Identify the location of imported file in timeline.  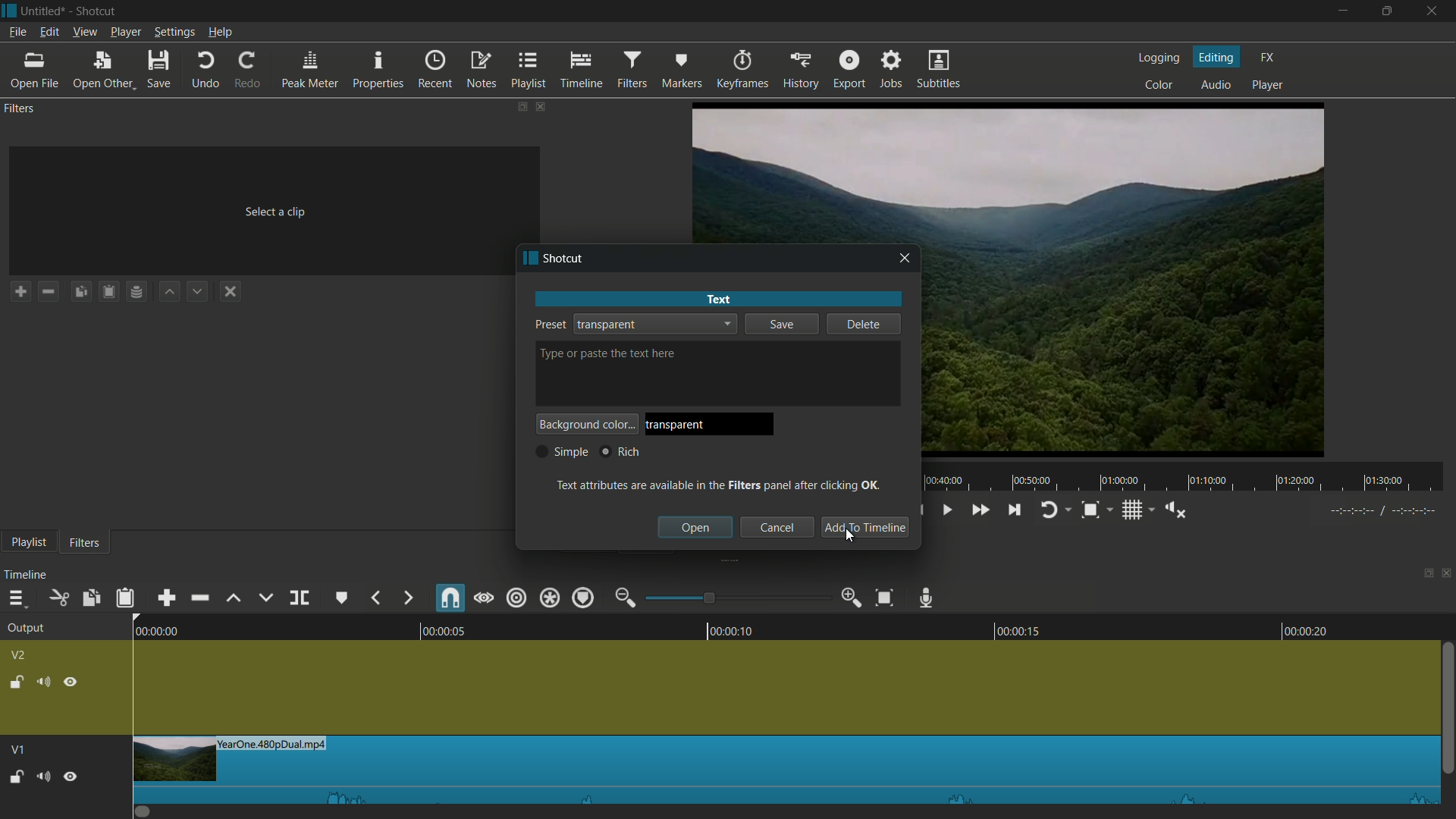
(786, 770).